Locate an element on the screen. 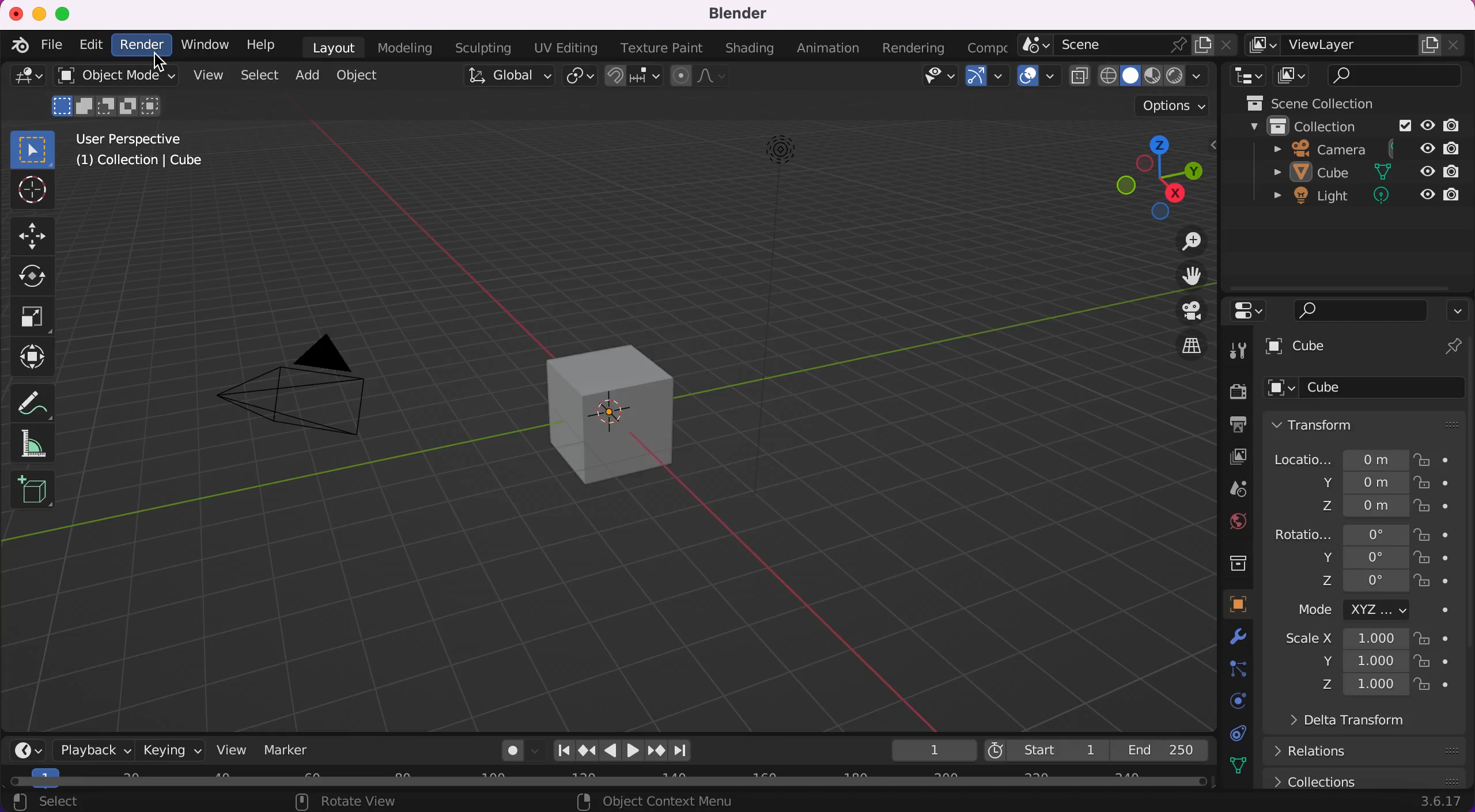 This screenshot has width=1475, height=812. select is located at coordinates (72, 800).